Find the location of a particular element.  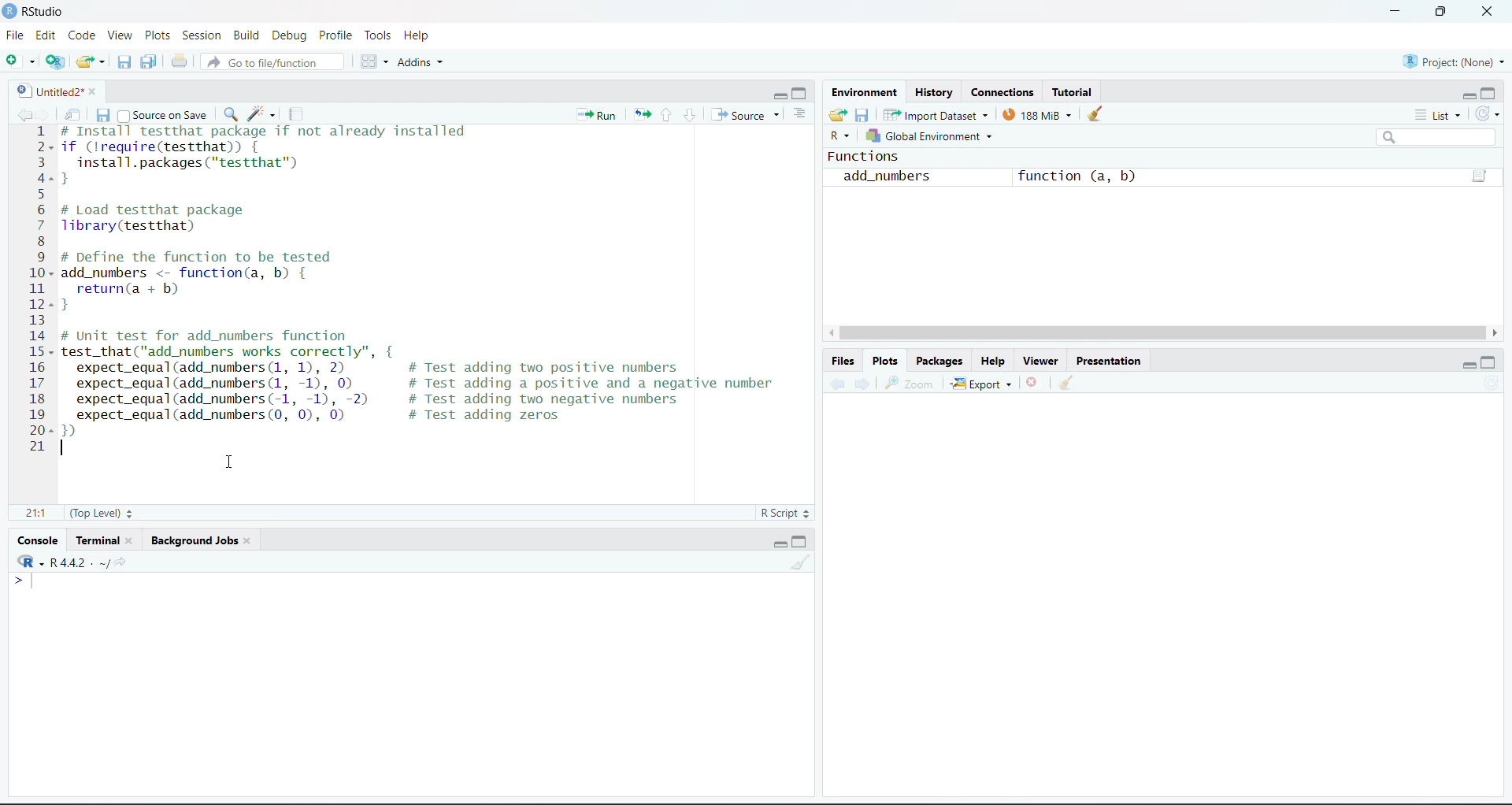

text cursor is located at coordinates (67, 448).